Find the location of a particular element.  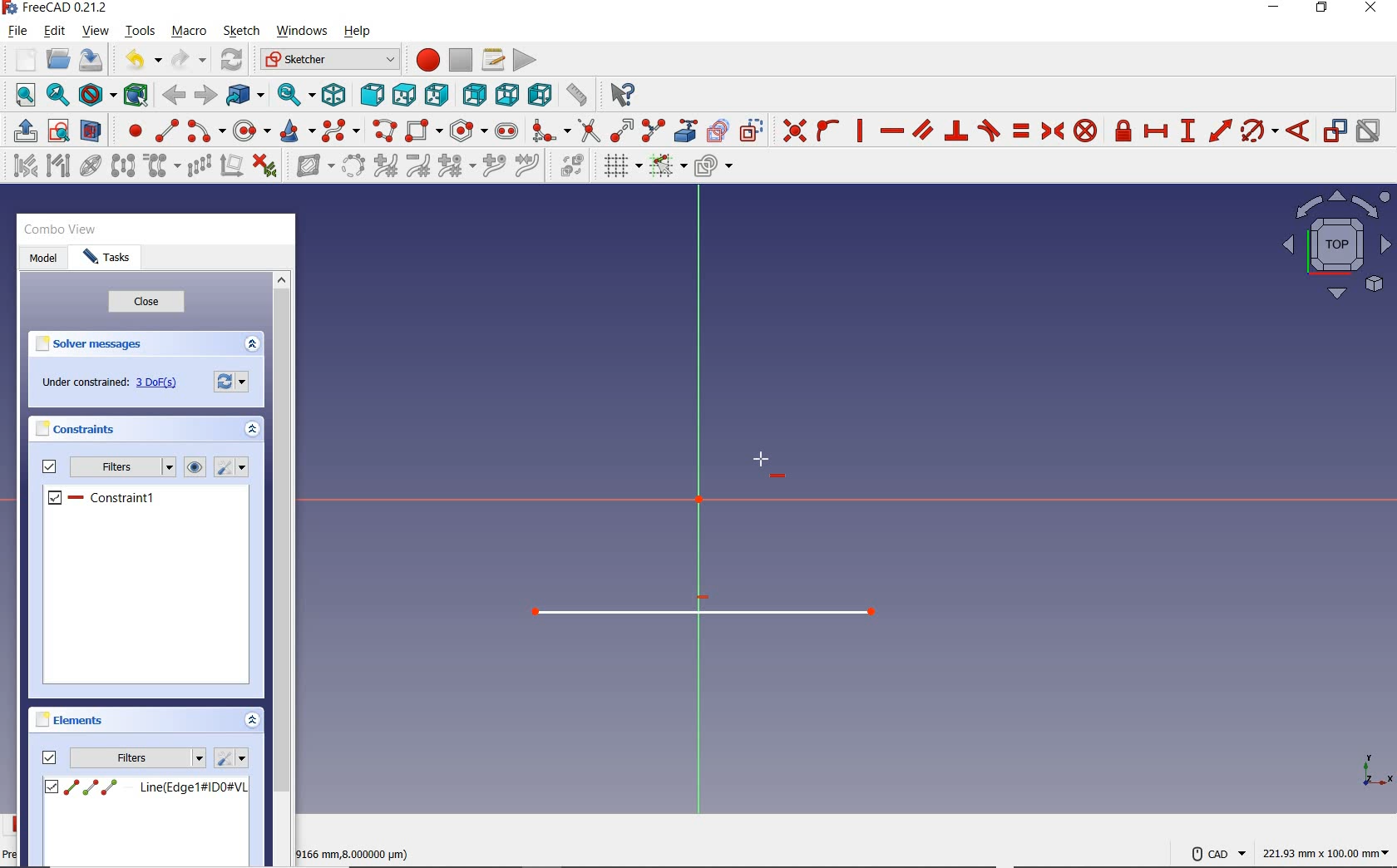

CONFIGURE RENDERING ORDER is located at coordinates (713, 162).